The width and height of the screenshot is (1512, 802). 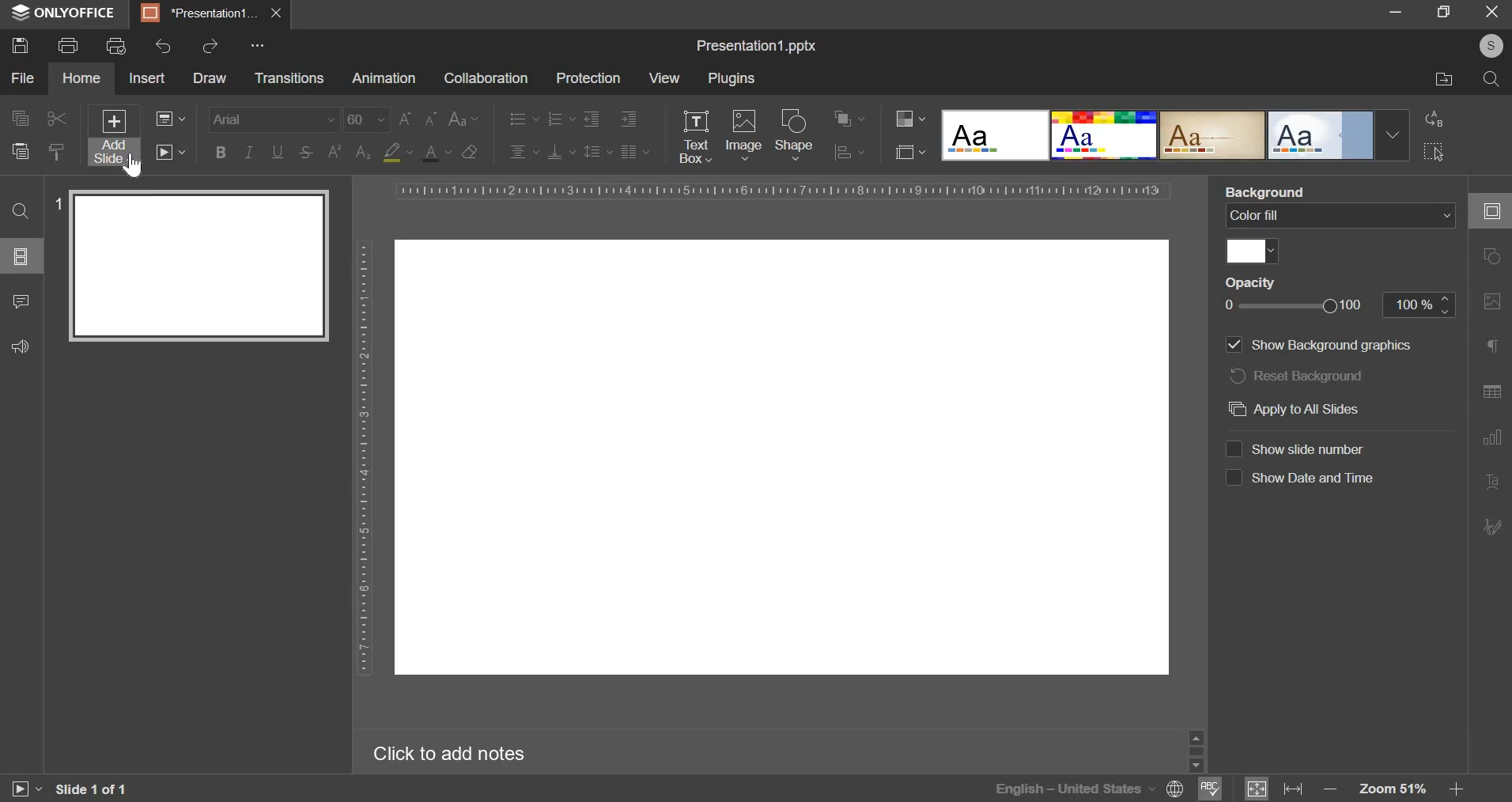 I want to click on character settings, so click(x=1495, y=350).